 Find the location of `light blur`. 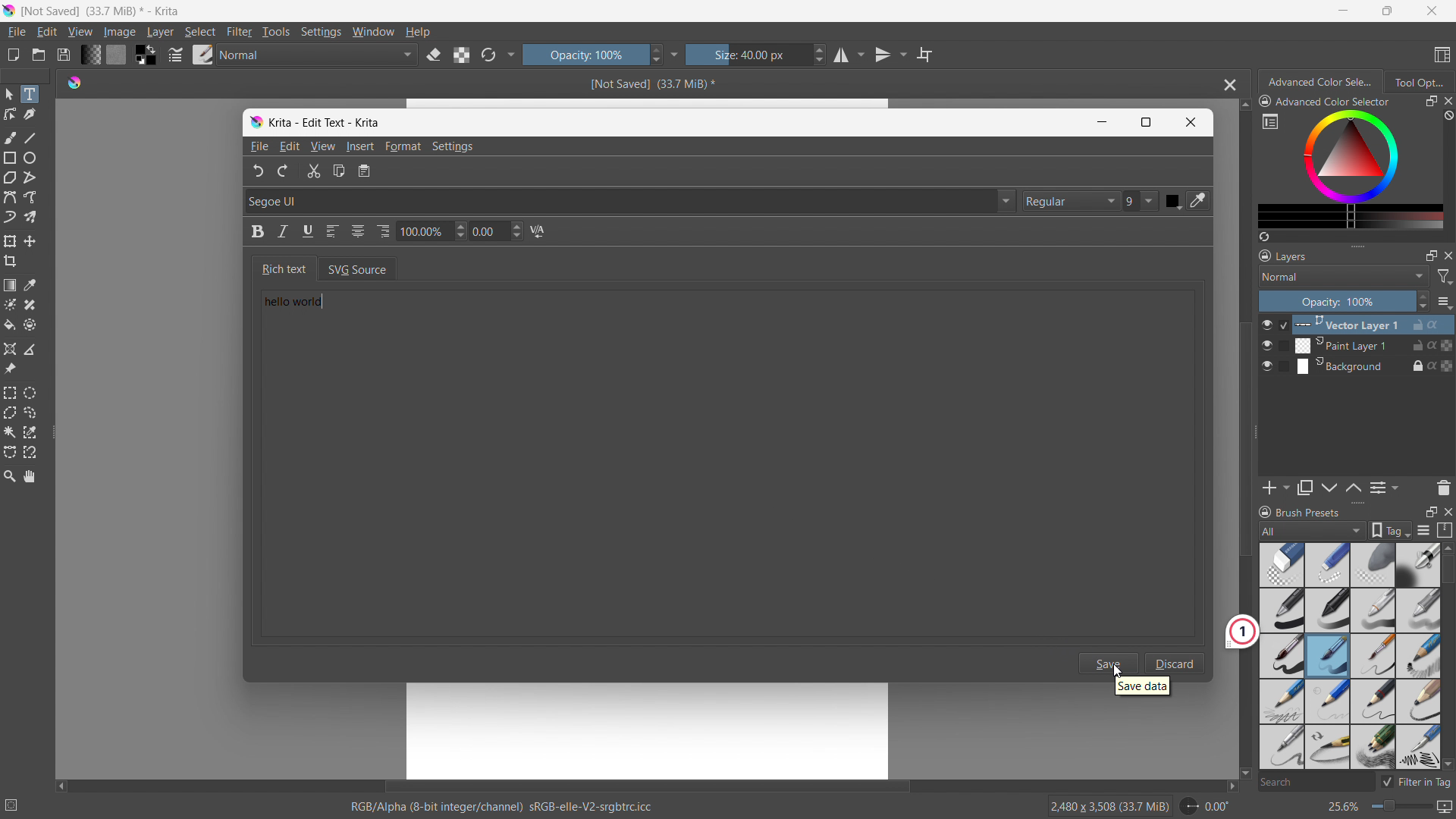

light blur is located at coordinates (1327, 565).